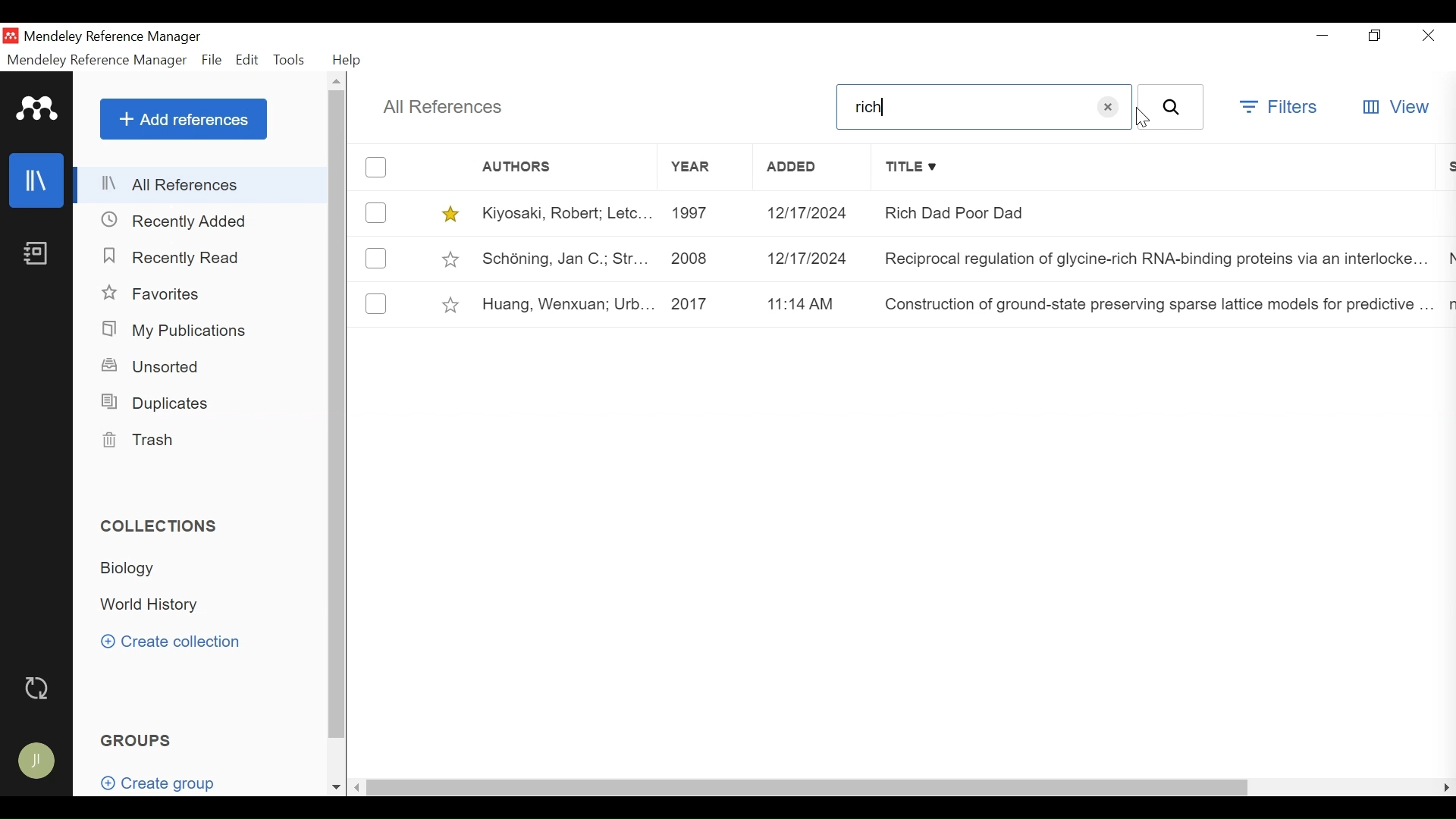  What do you see at coordinates (812, 168) in the screenshot?
I see `Added` at bounding box center [812, 168].